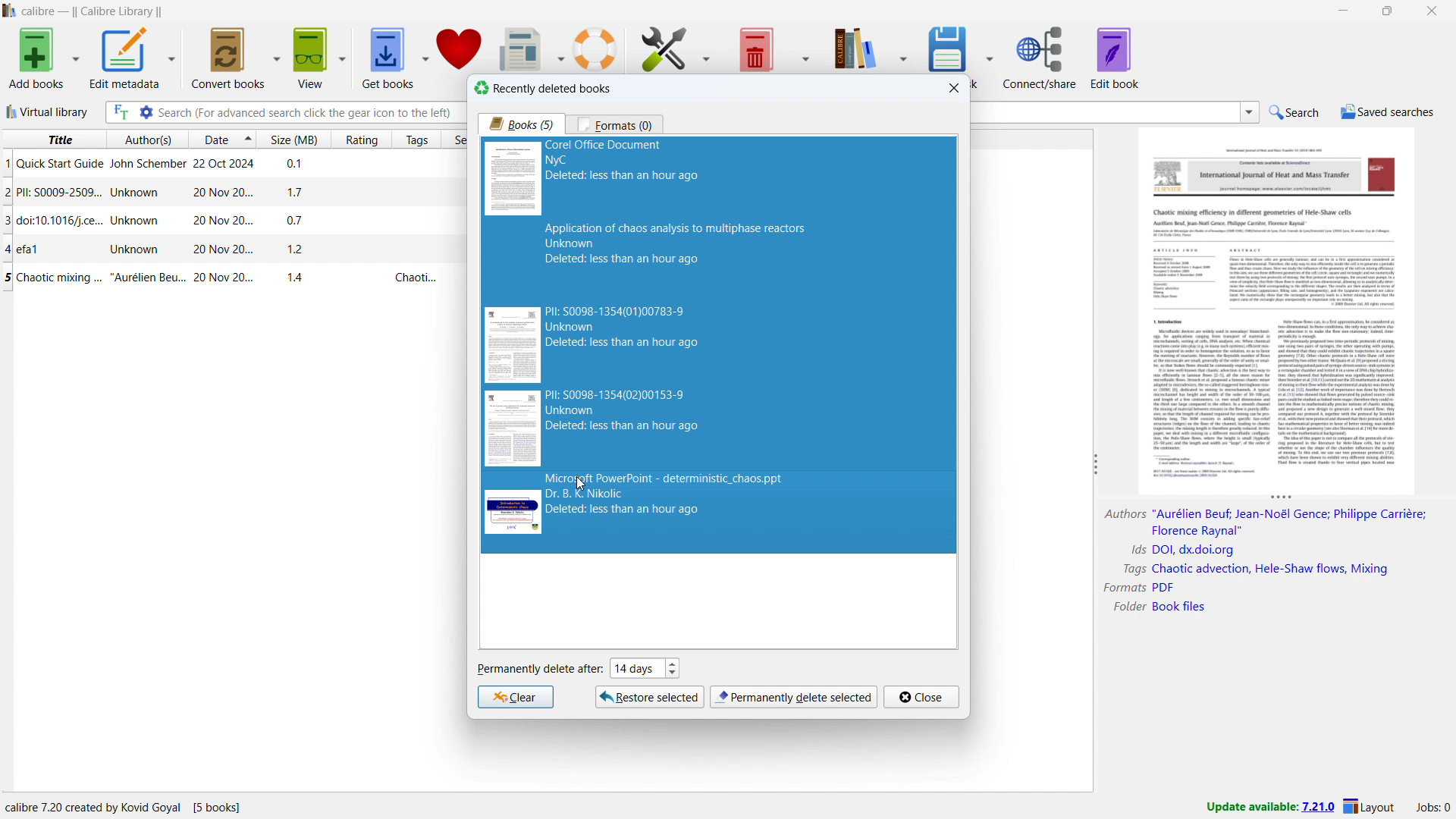 The width and height of the screenshot is (1456, 819). I want to click on fetch news options, so click(557, 48).